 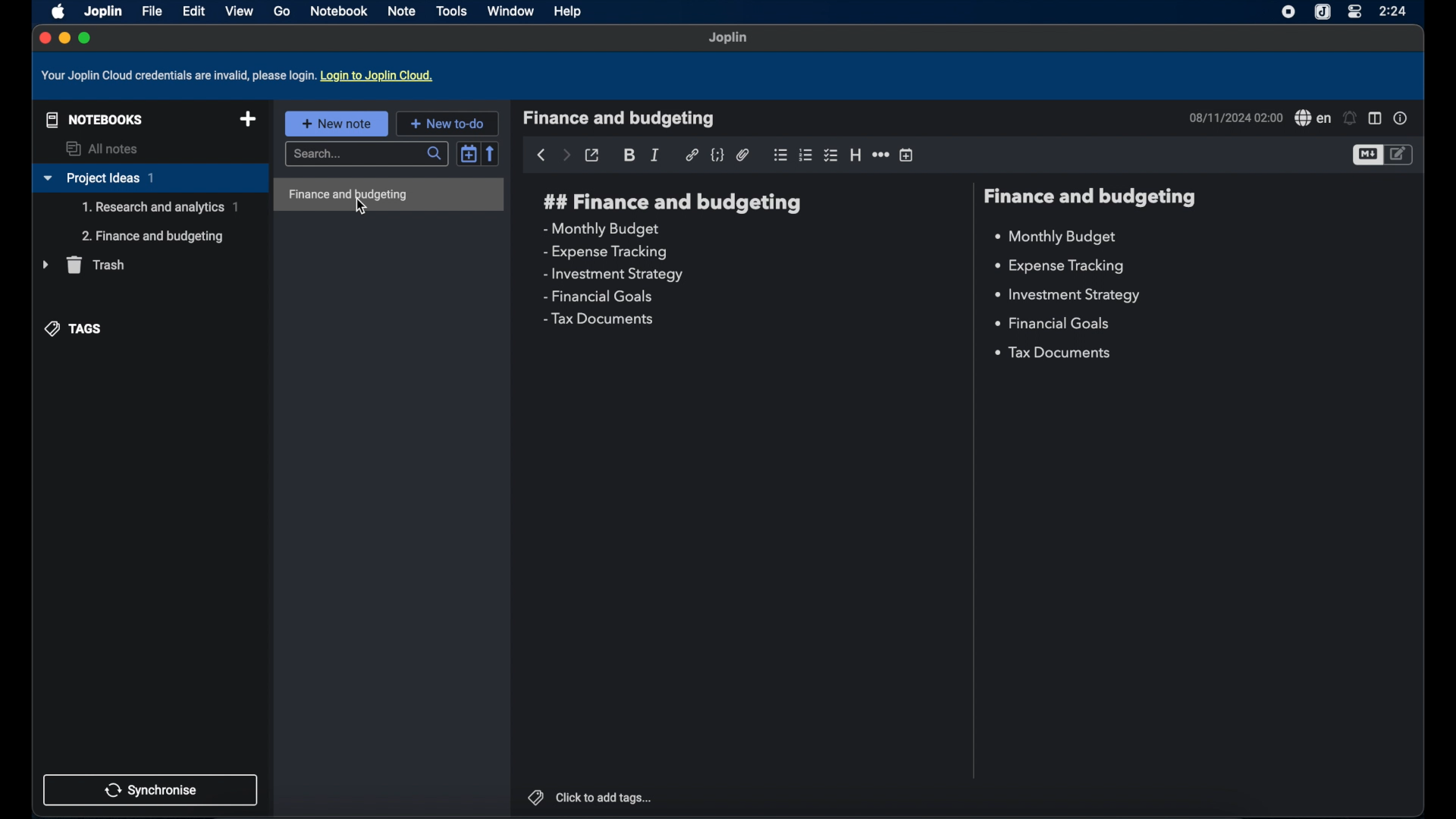 What do you see at coordinates (880, 155) in the screenshot?
I see `horizontal rule` at bounding box center [880, 155].